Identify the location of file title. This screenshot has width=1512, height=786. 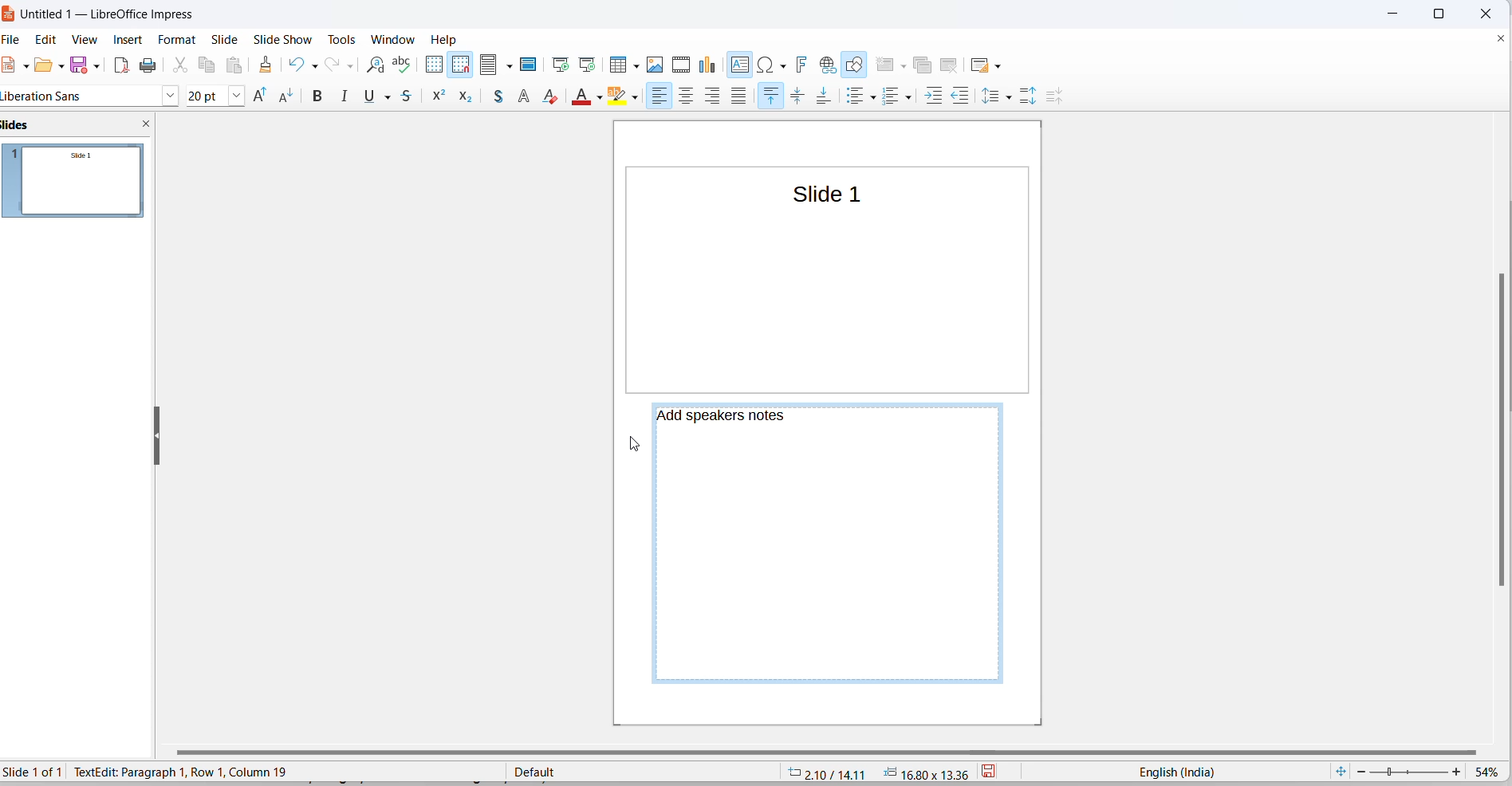
(104, 15).